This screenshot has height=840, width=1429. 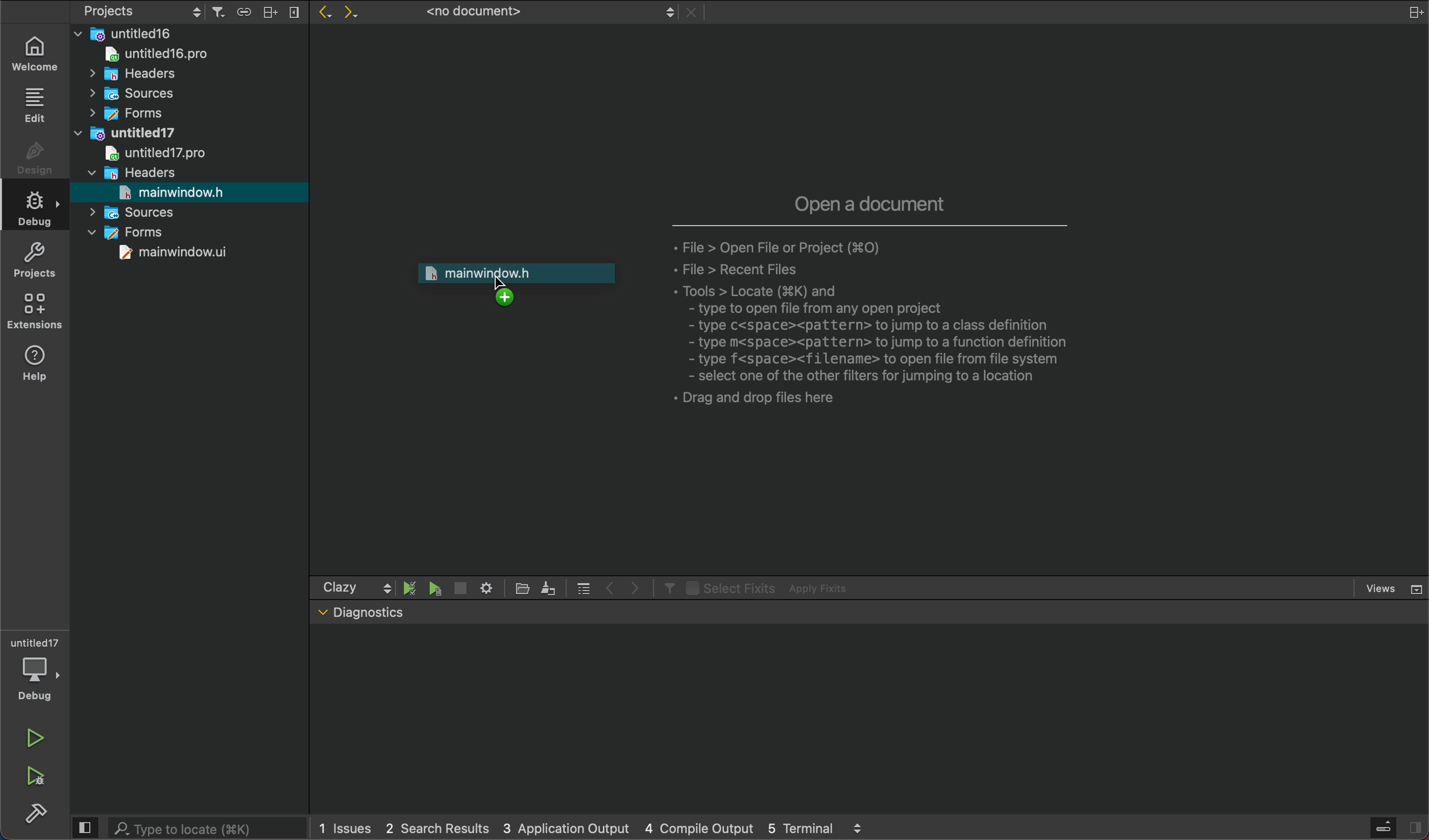 What do you see at coordinates (564, 826) in the screenshot?
I see `3 Application Output` at bounding box center [564, 826].